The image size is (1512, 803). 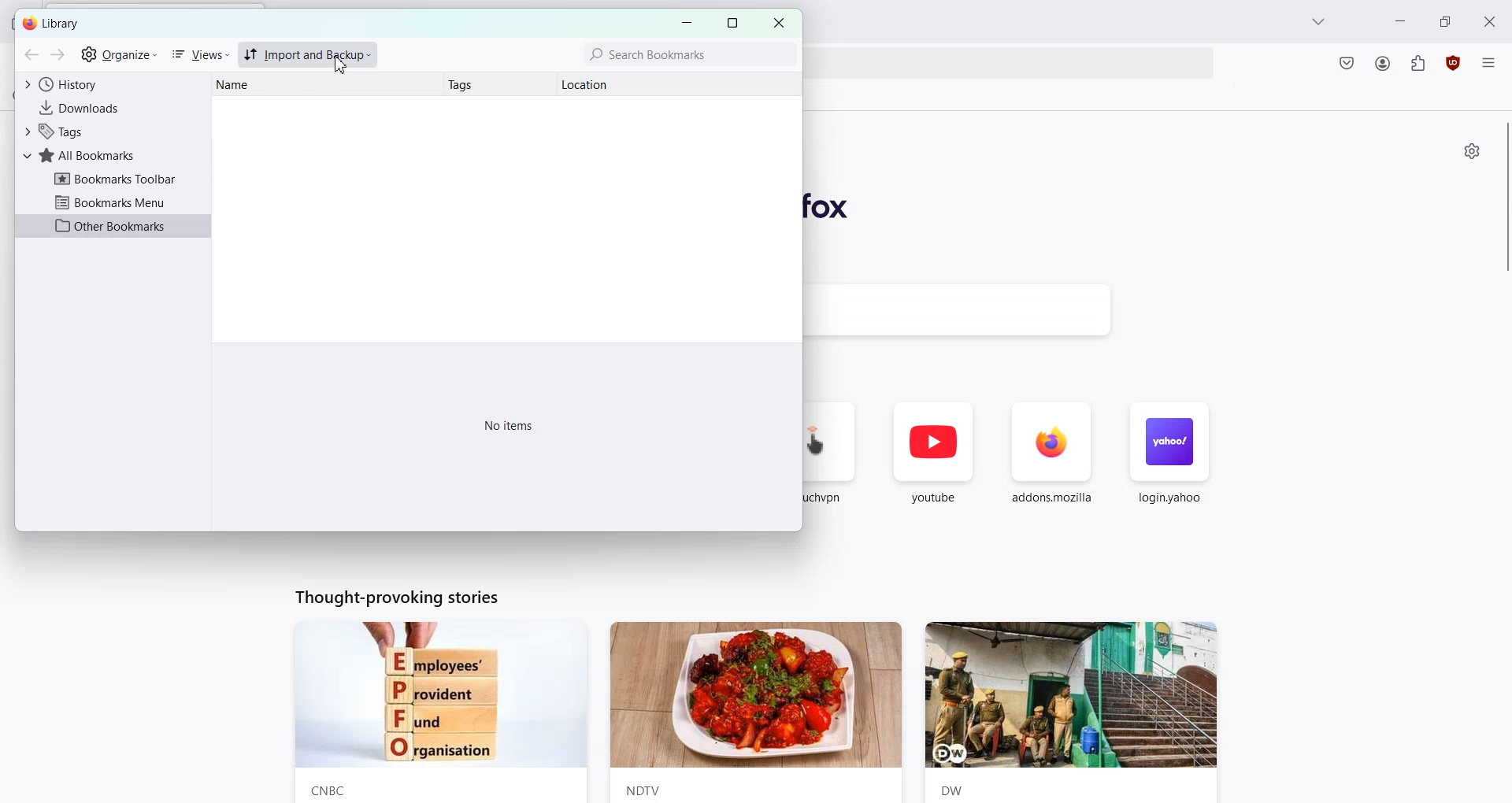 I want to click on Bookmarks Menu, so click(x=116, y=202).